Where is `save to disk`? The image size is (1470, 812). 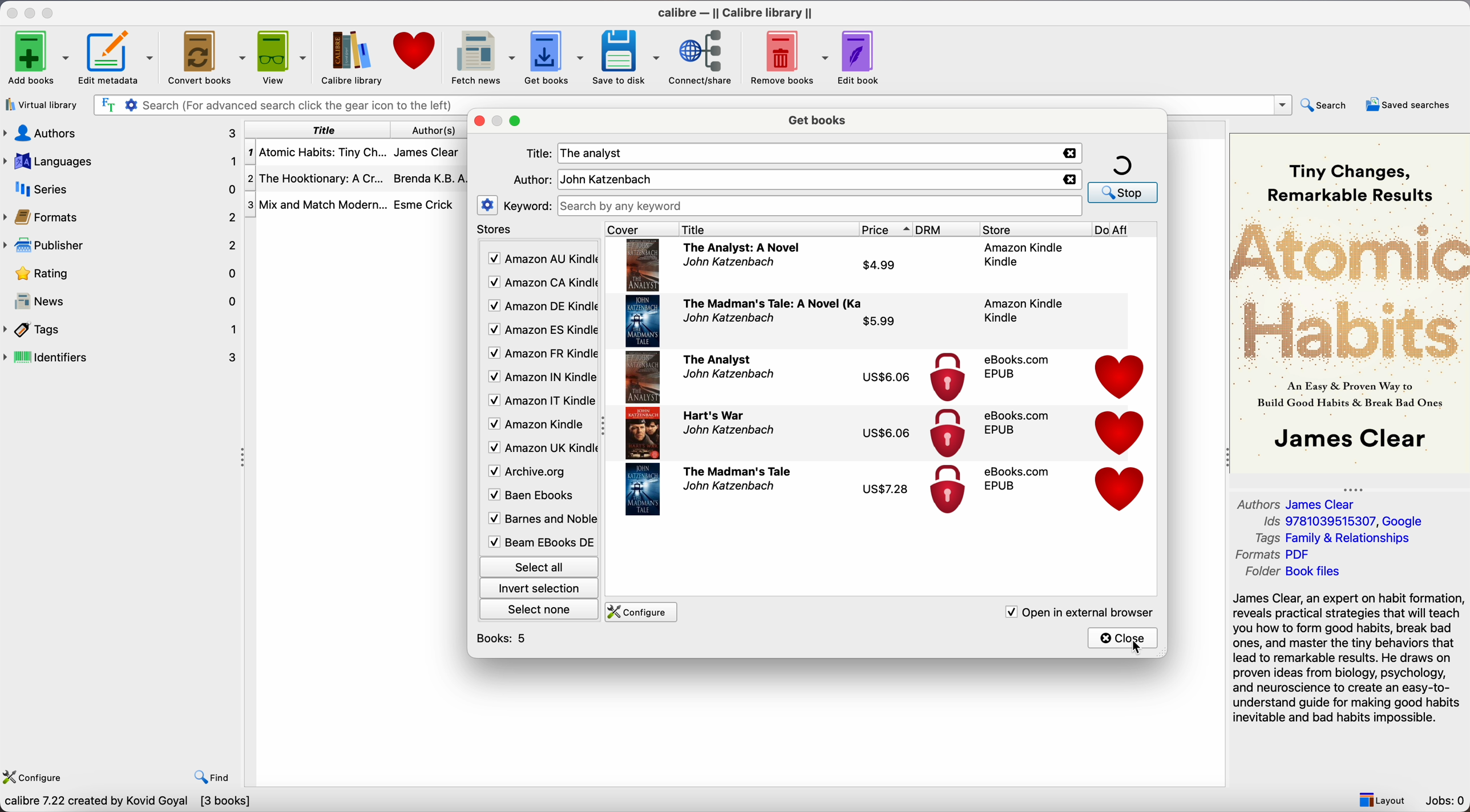 save to disk is located at coordinates (625, 56).